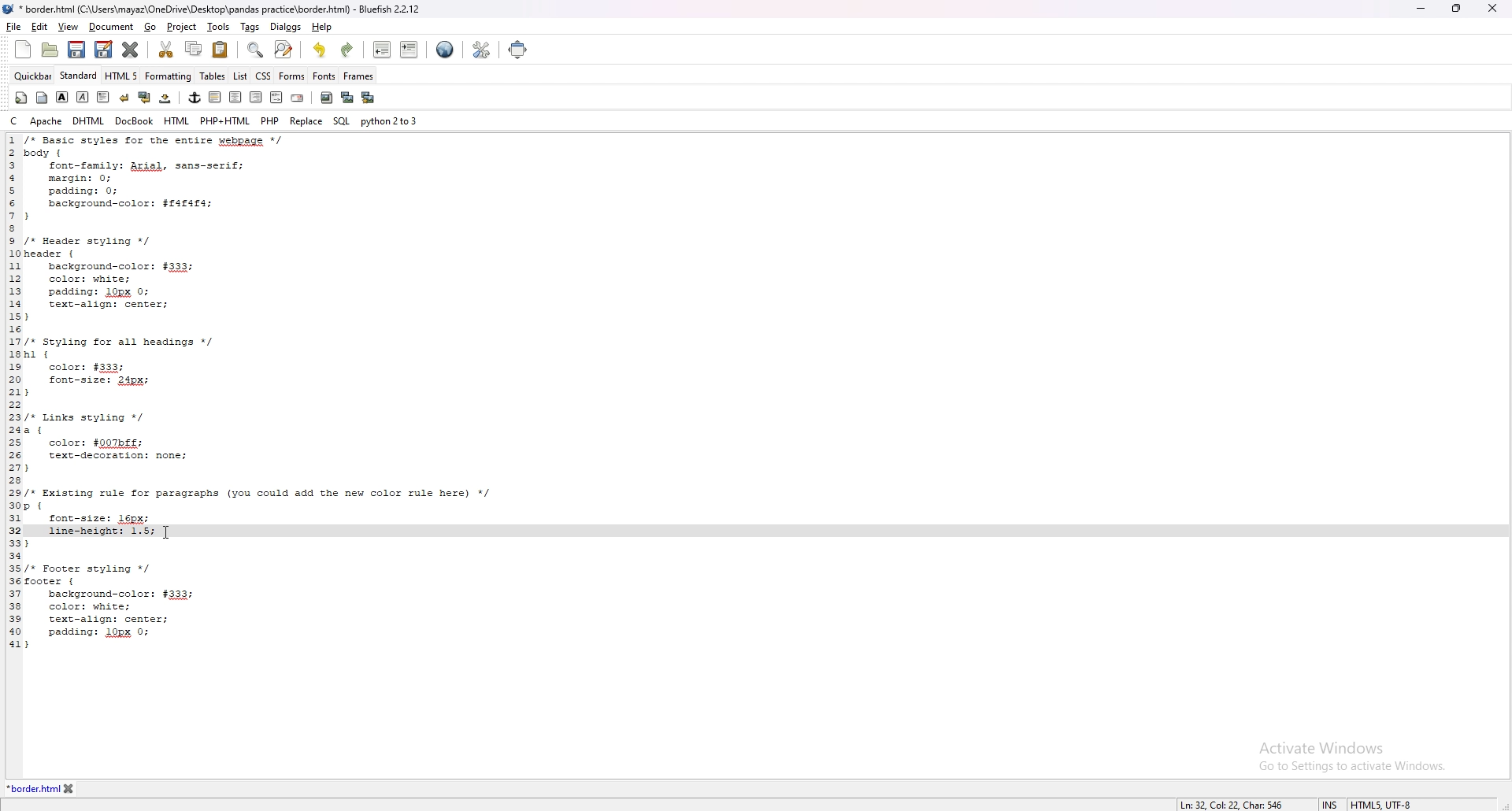 This screenshot has height=811, width=1512. What do you see at coordinates (195, 98) in the screenshot?
I see `anchor` at bounding box center [195, 98].